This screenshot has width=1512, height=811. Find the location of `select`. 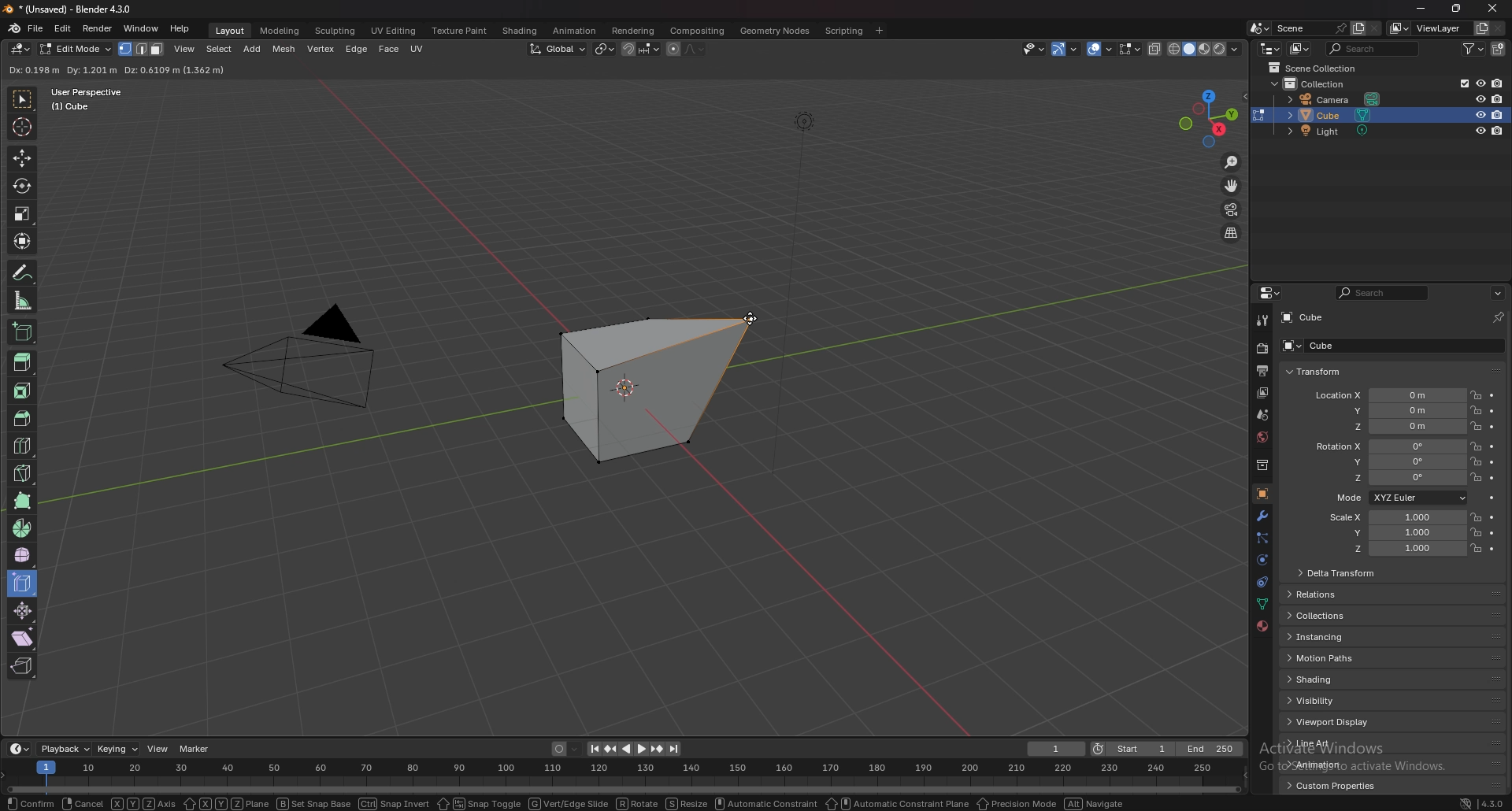

select is located at coordinates (23, 101).